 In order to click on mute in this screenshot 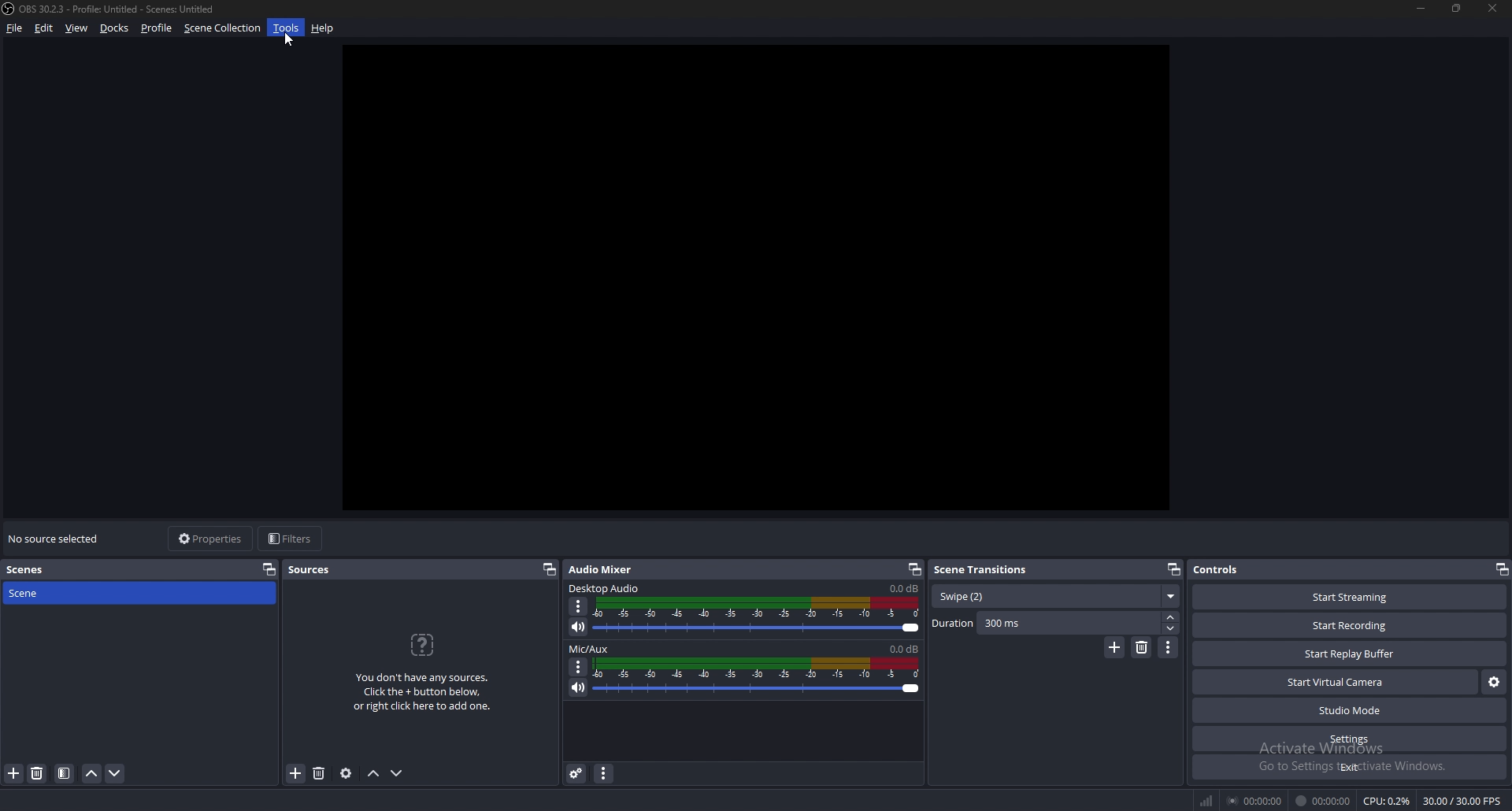, I will do `click(579, 626)`.